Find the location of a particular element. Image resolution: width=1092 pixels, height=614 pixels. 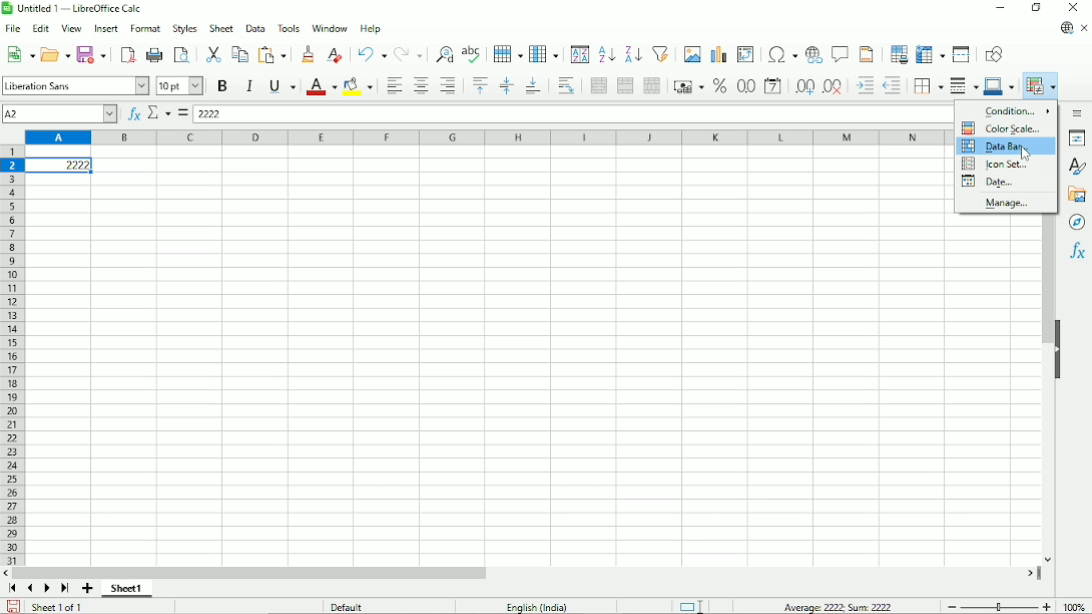

Border color is located at coordinates (1000, 87).